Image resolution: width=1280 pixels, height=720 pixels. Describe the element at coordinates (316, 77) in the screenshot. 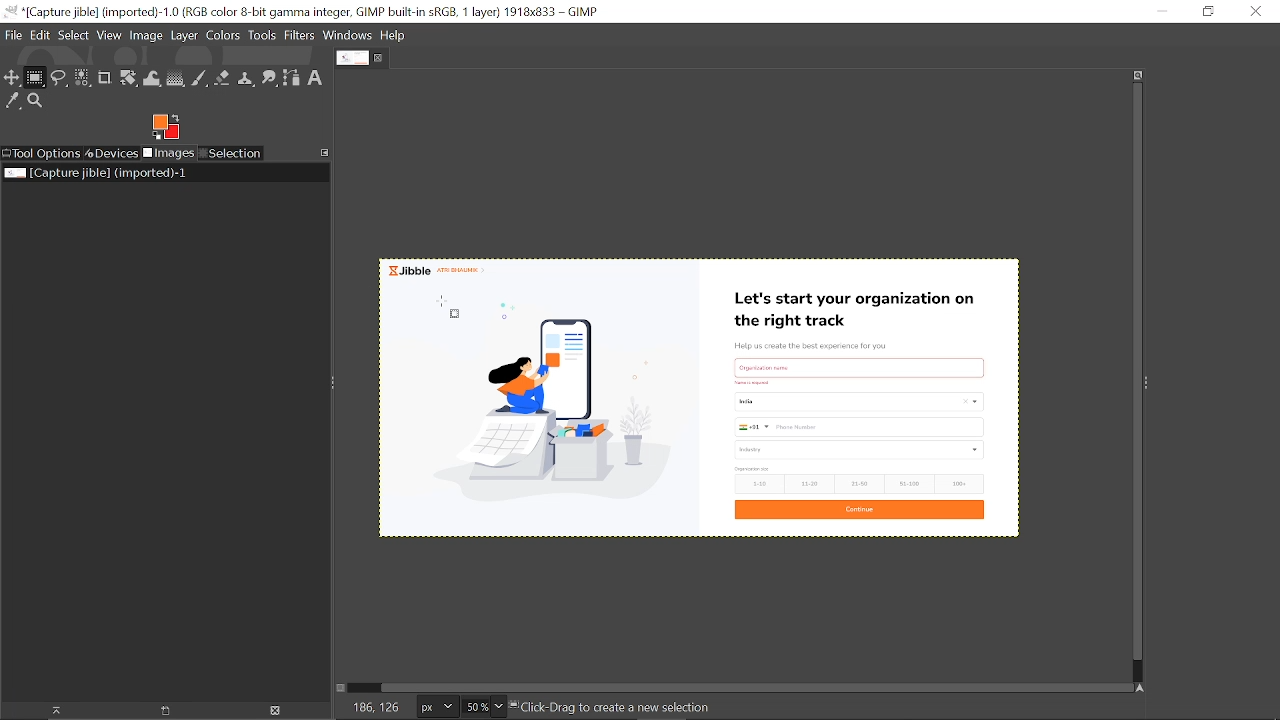

I see `Text tool` at that location.